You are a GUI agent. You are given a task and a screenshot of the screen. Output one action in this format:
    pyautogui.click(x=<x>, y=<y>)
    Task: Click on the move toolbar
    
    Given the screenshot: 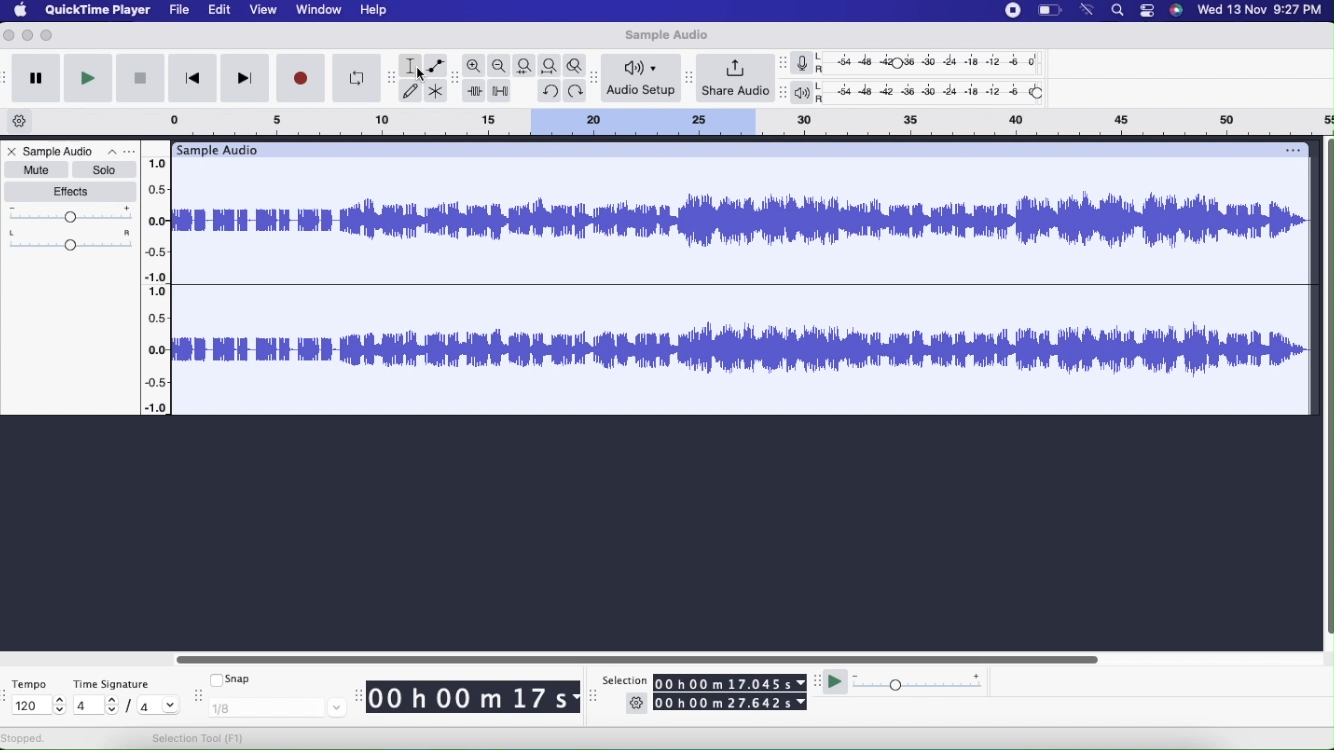 What is the action you would take?
    pyautogui.click(x=687, y=78)
    